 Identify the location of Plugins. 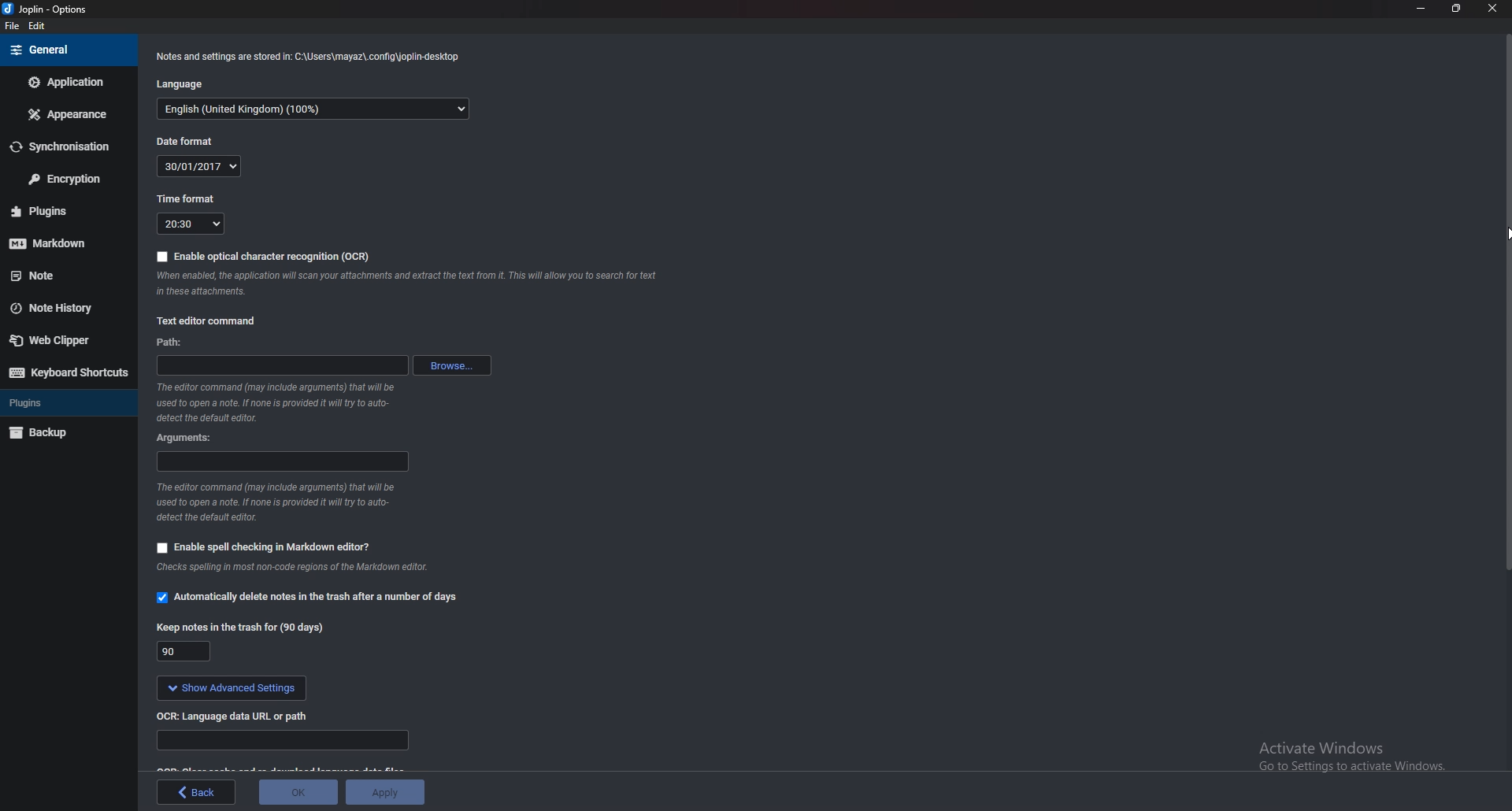
(66, 402).